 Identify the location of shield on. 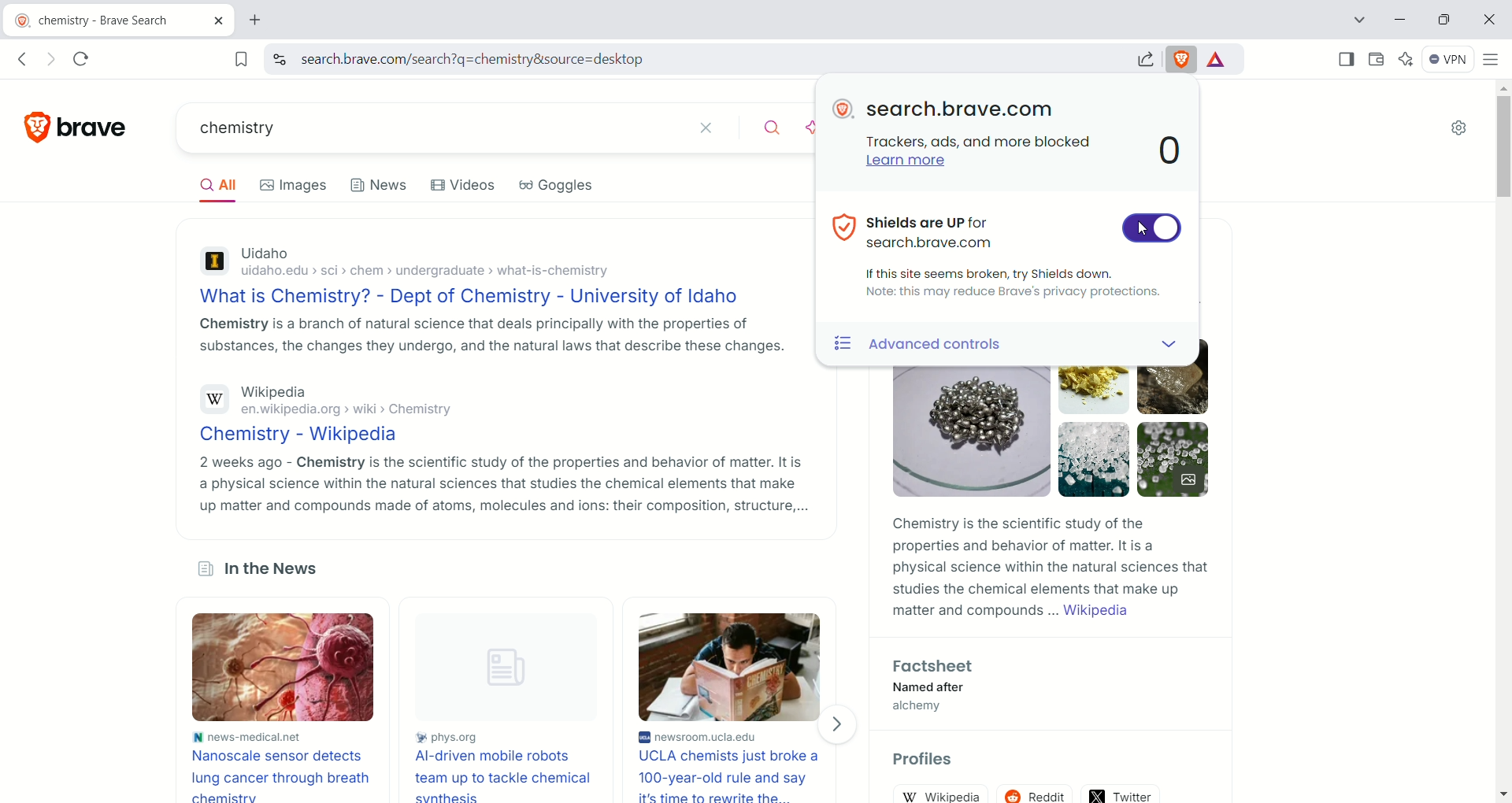
(1152, 231).